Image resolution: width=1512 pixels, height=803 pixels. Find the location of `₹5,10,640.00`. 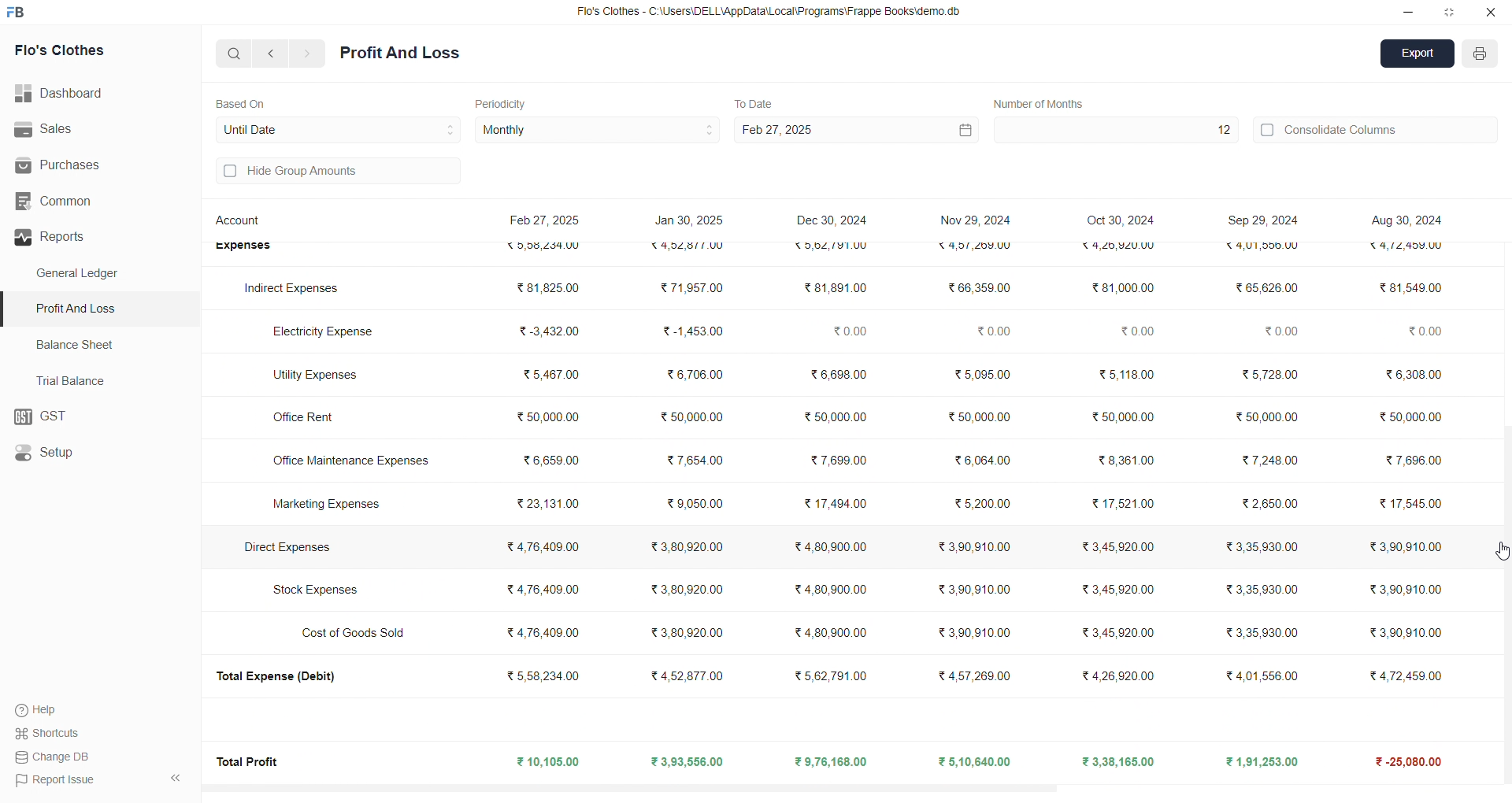

₹5,10,640.00 is located at coordinates (976, 761).